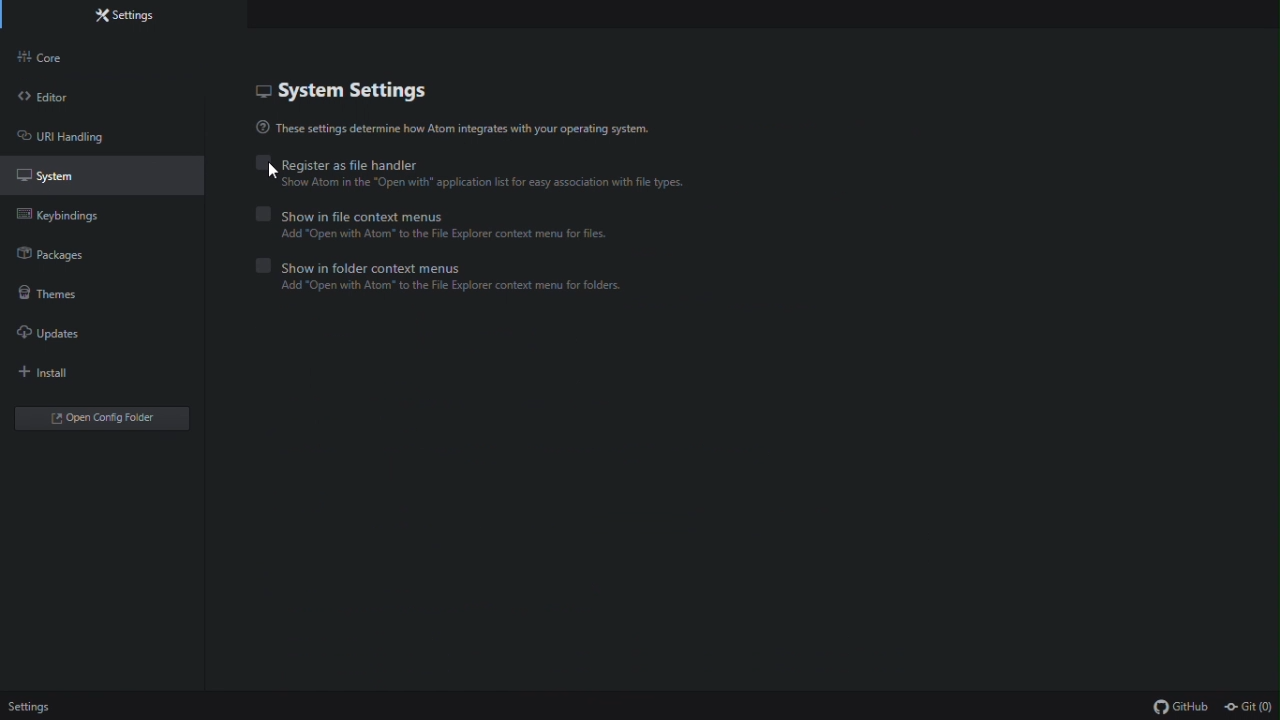 Image resolution: width=1280 pixels, height=720 pixels. Describe the element at coordinates (72, 101) in the screenshot. I see `Editor` at that location.